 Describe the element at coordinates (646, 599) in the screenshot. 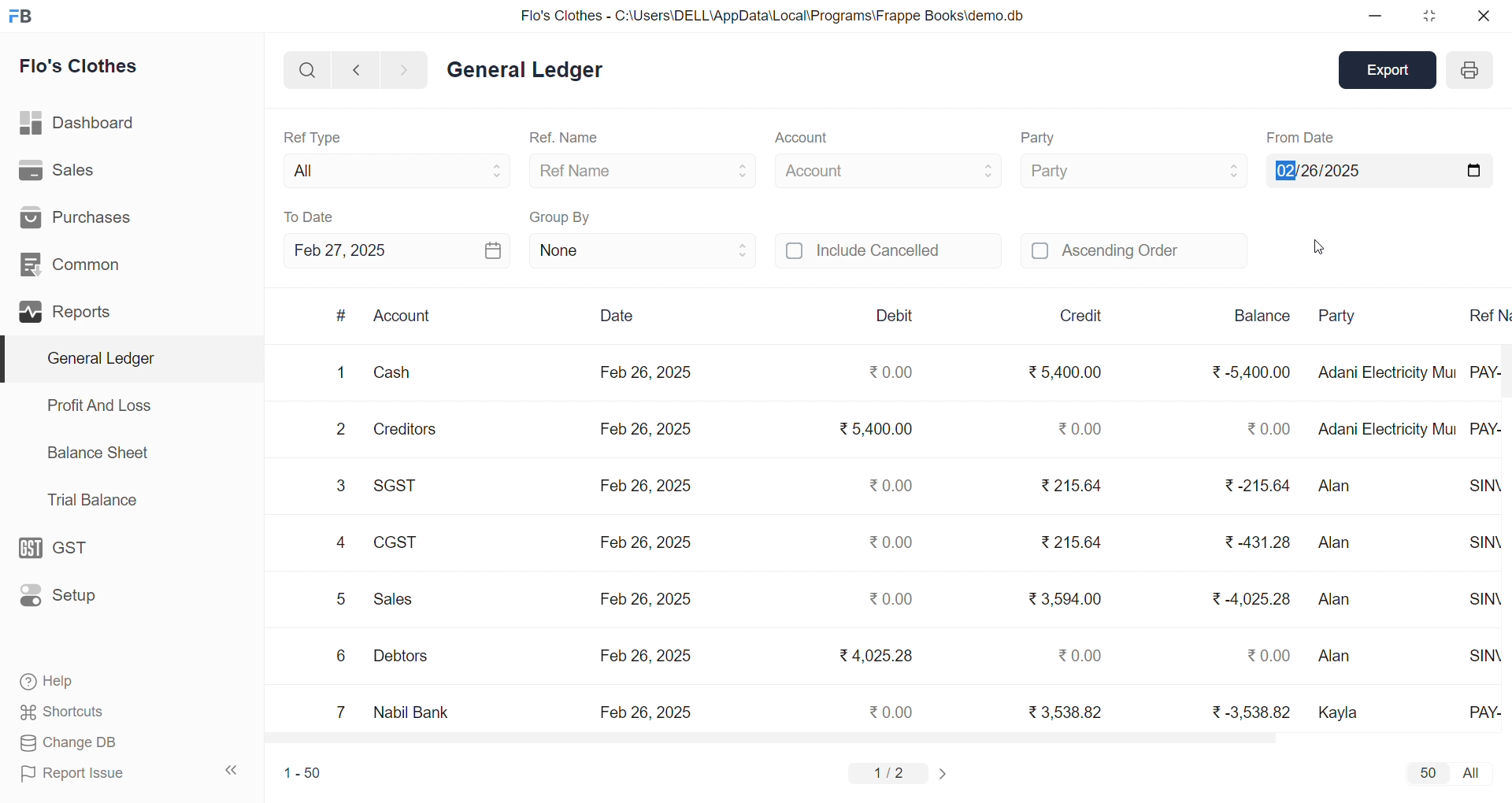

I see `Feb 26, 2025` at that location.